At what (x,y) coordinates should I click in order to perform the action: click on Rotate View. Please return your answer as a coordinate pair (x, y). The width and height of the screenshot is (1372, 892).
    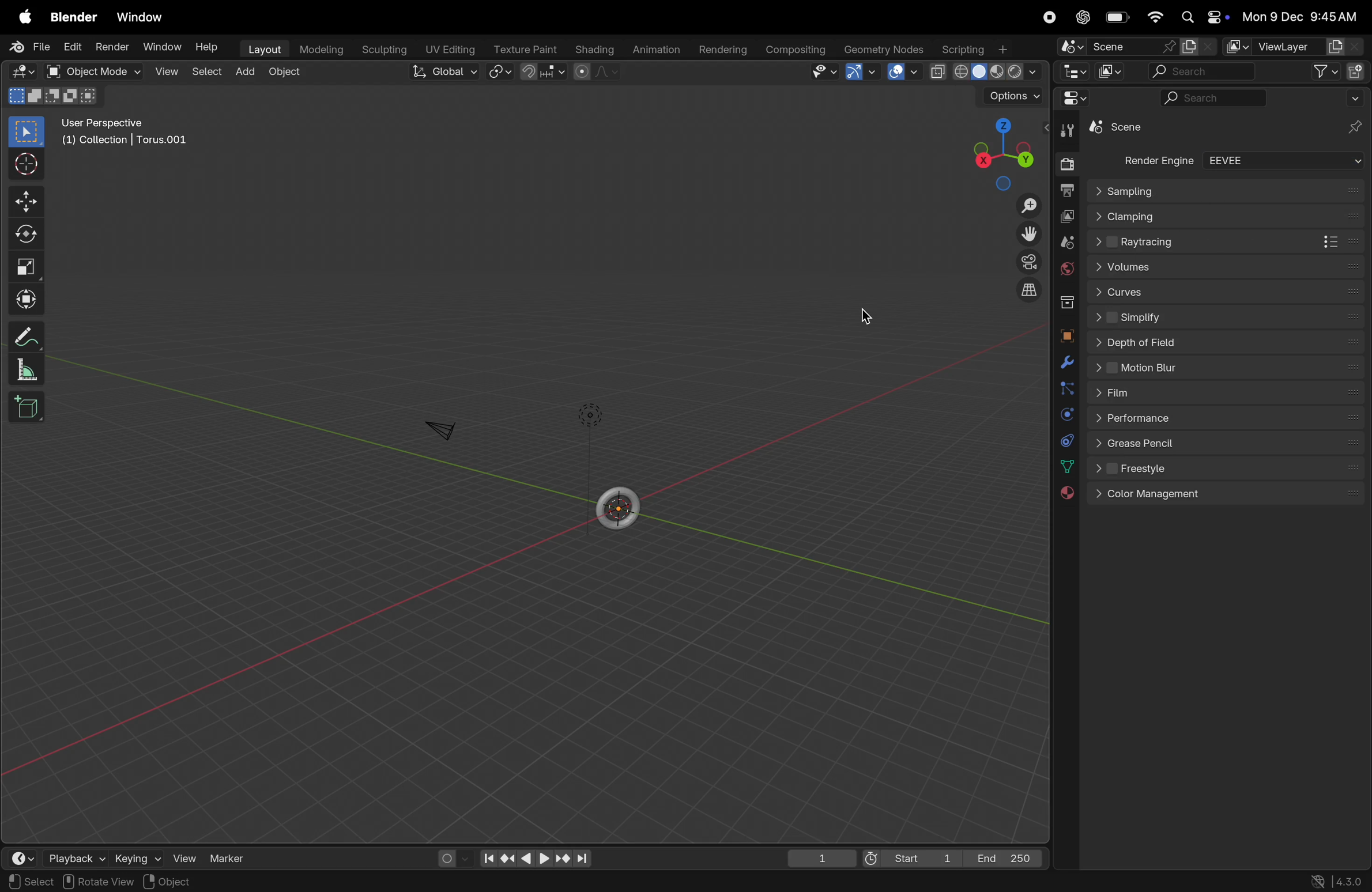
    Looking at the image, I should click on (97, 882).